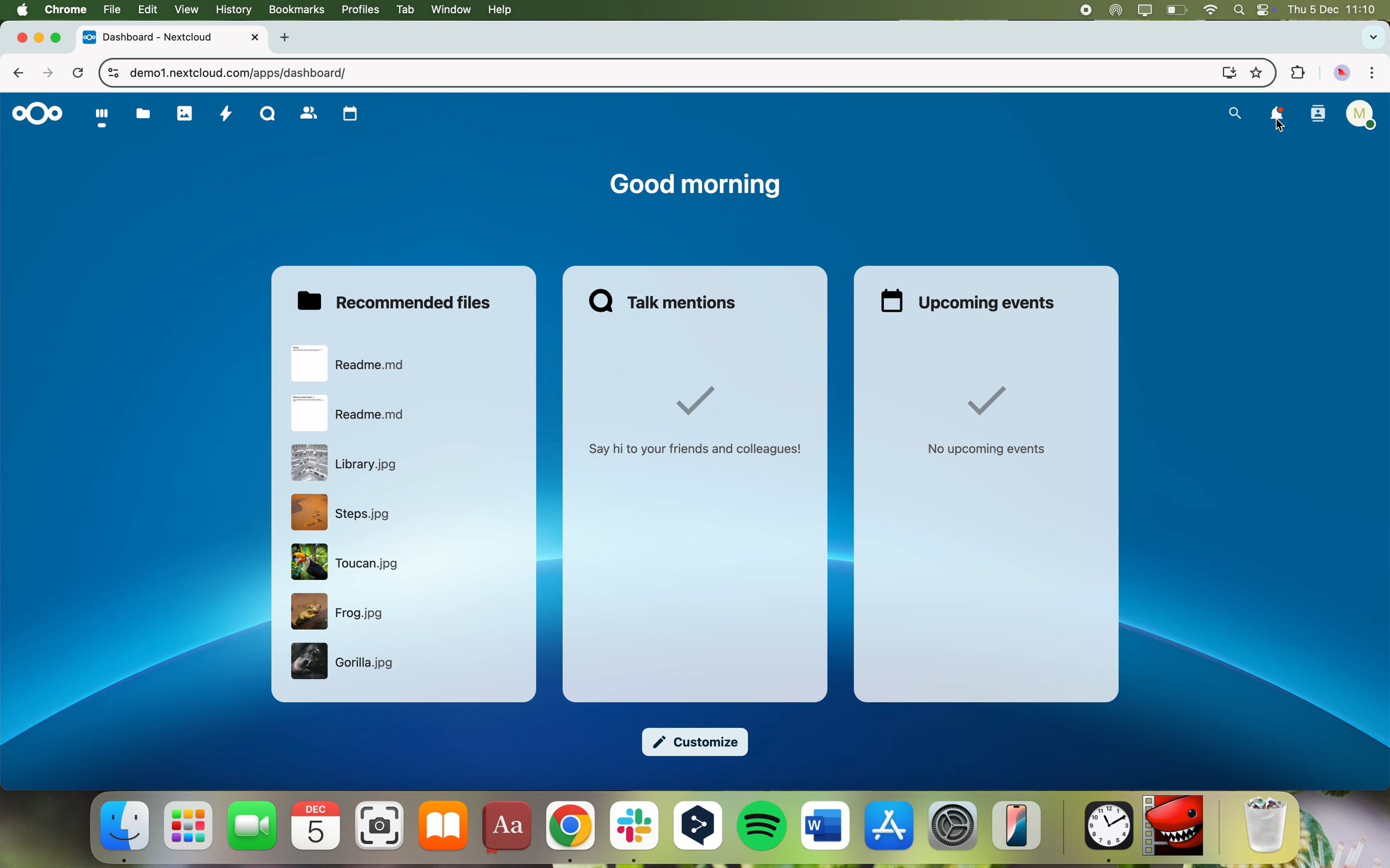 The image size is (1390, 868). I want to click on customize and control Google Chrome, so click(1372, 74).